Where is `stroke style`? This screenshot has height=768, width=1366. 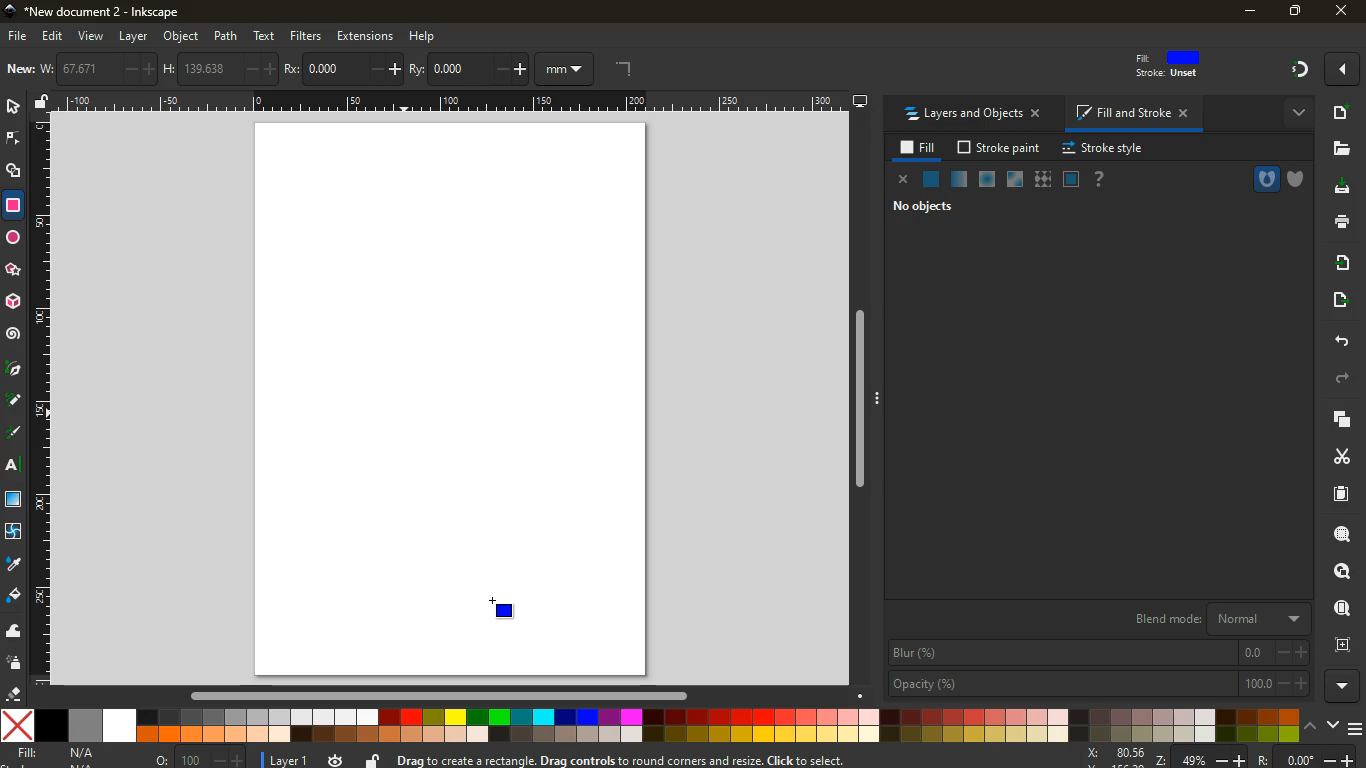 stroke style is located at coordinates (1103, 149).